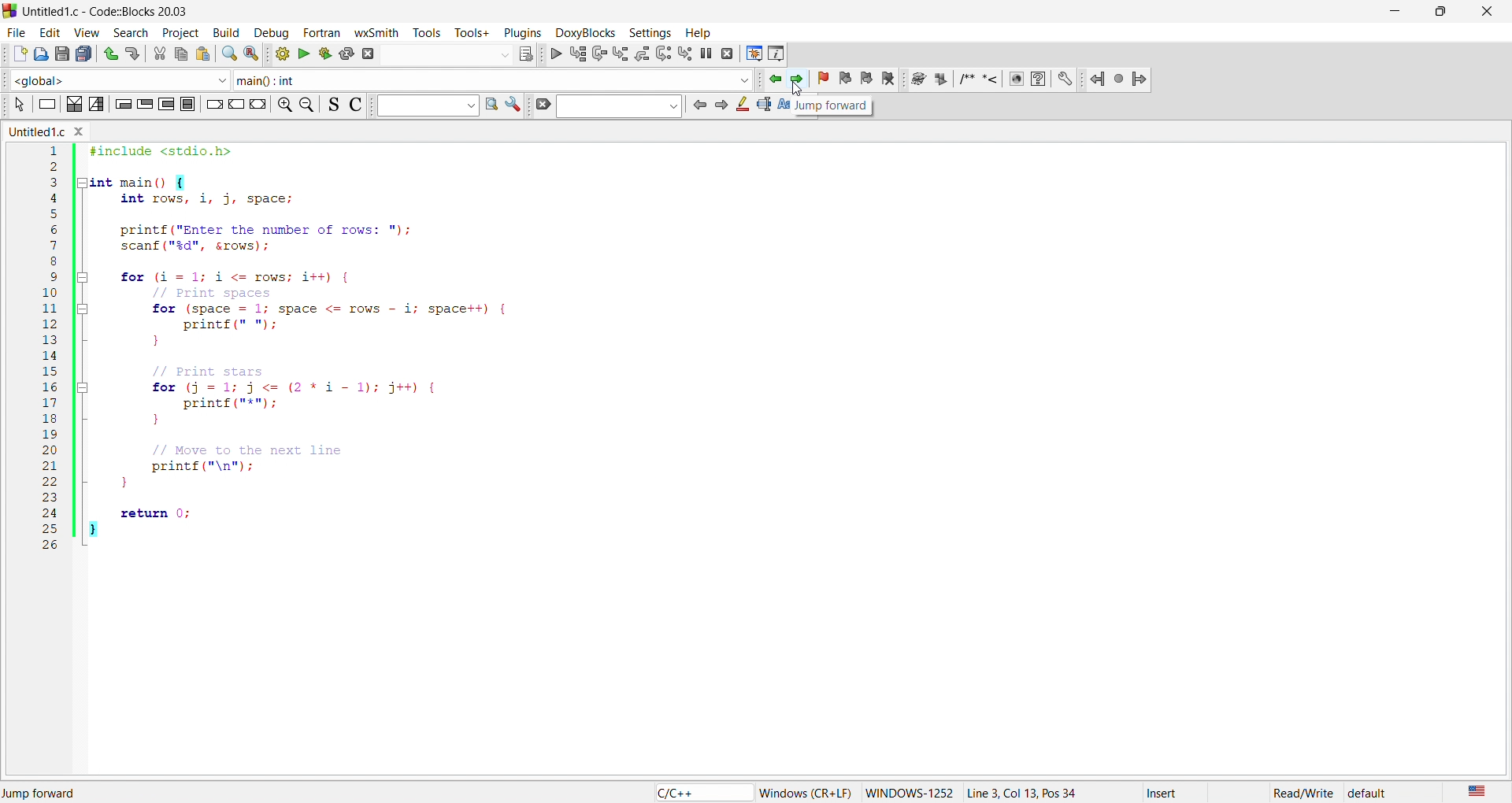  What do you see at coordinates (94, 105) in the screenshot?
I see `icon` at bounding box center [94, 105].